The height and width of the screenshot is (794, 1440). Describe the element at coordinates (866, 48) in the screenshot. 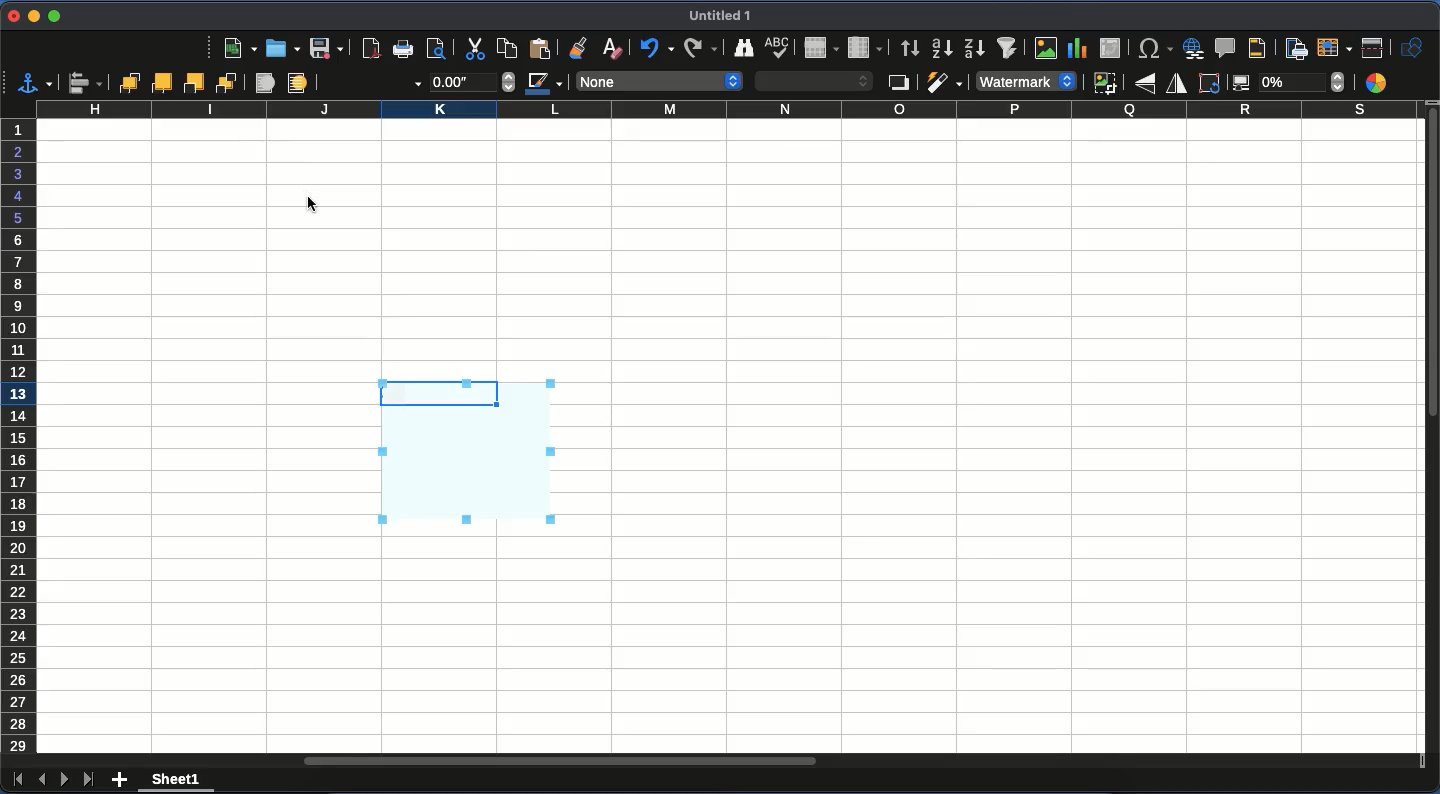

I see `column` at that location.